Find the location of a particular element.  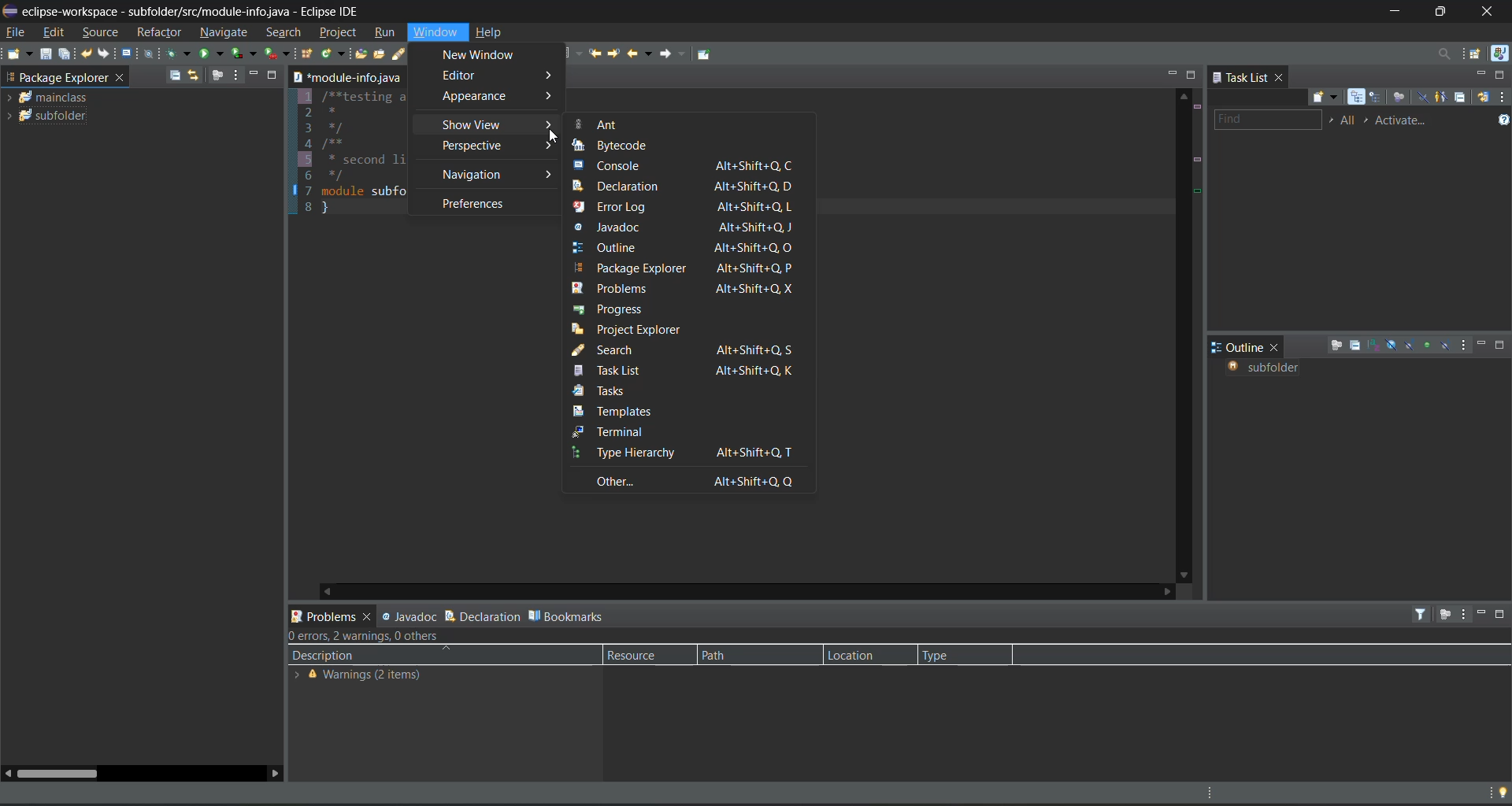

find is located at coordinates (1266, 121).